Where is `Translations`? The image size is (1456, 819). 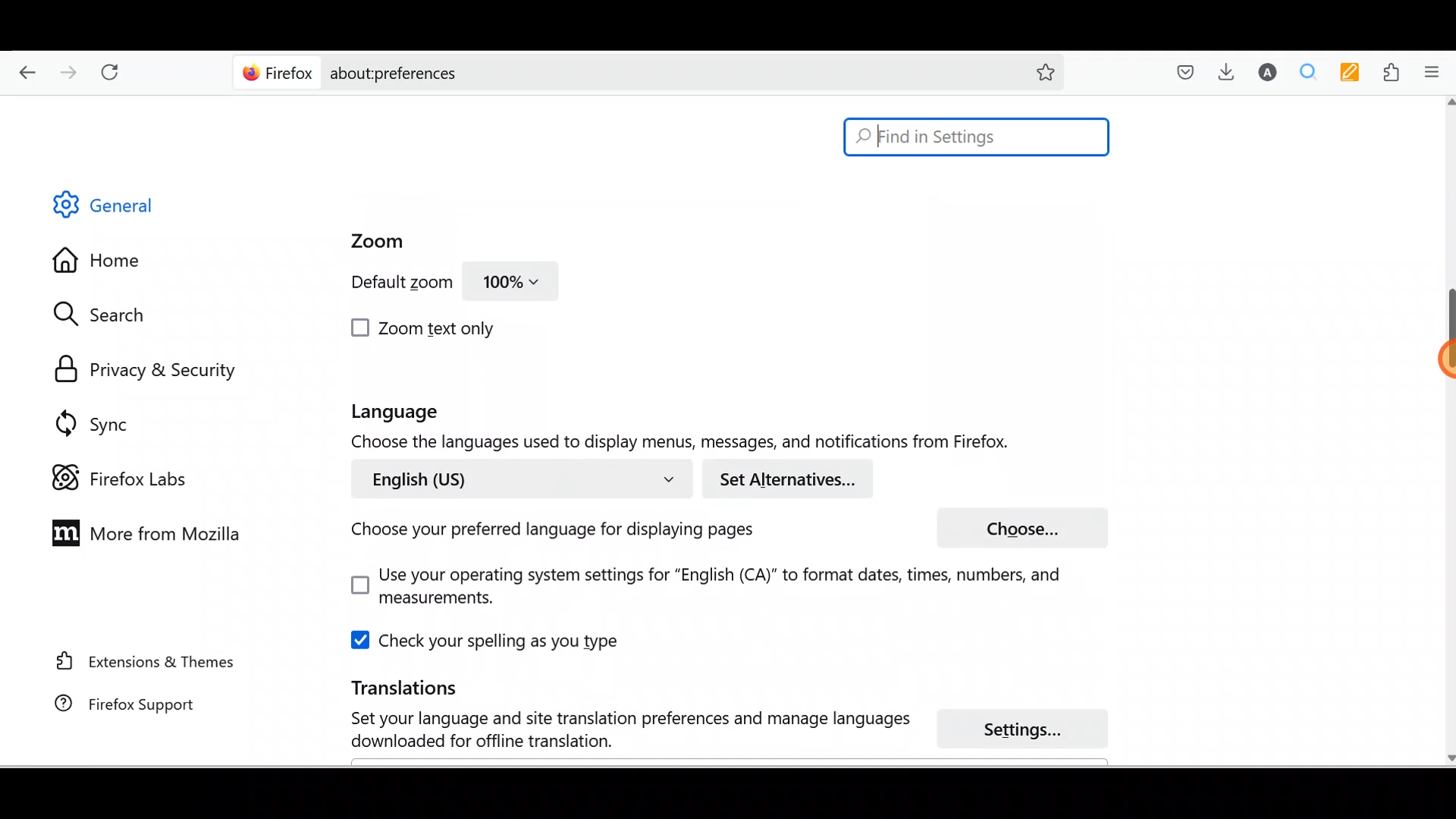 Translations is located at coordinates (384, 686).